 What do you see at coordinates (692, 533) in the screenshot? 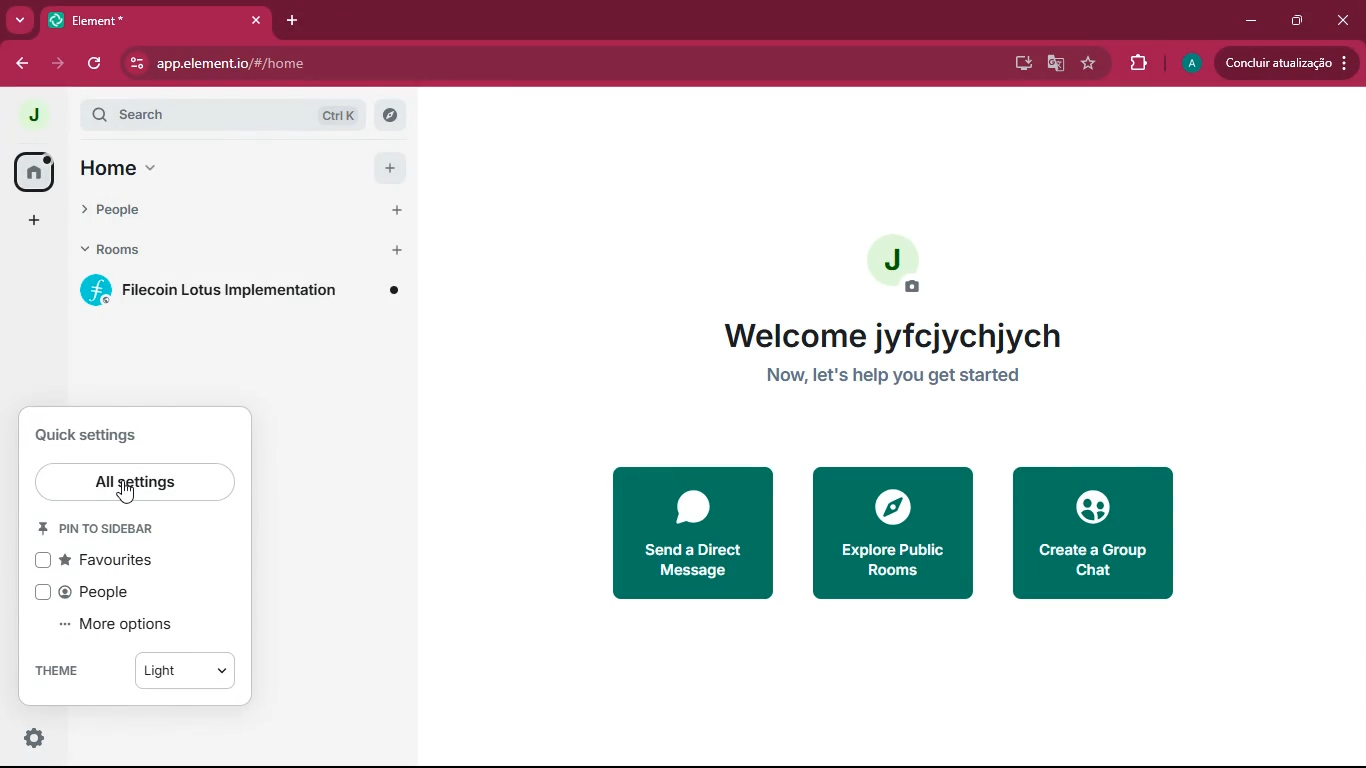
I see `send a direct message` at bounding box center [692, 533].